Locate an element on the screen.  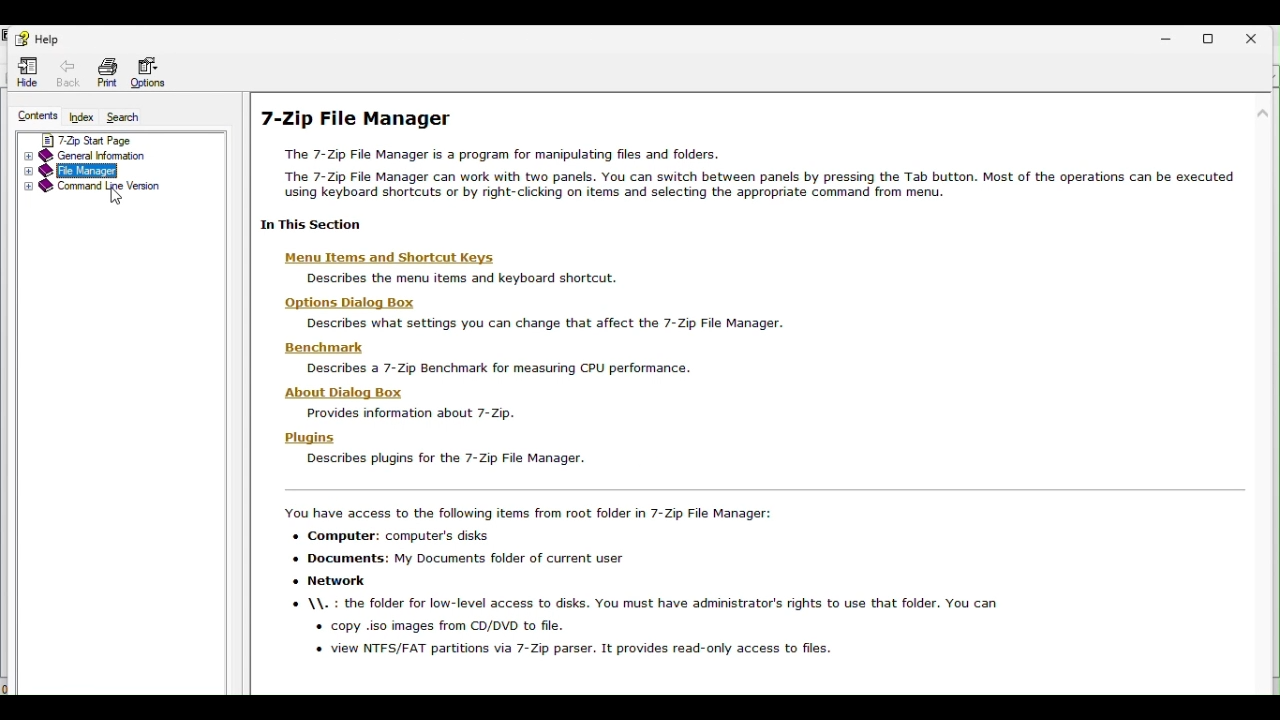
7-Zip File Manager
The 7-Zip File Manager is a program for manipulating files and folders.
The 7-Zip File Manager can work with two panels. You can switch between panels by pressing the Tab button. Most of the operations can be executed
using keyboard shortcuts or by right-clicking on items and selecting the appropriate command from menu. is located at coordinates (749, 152).